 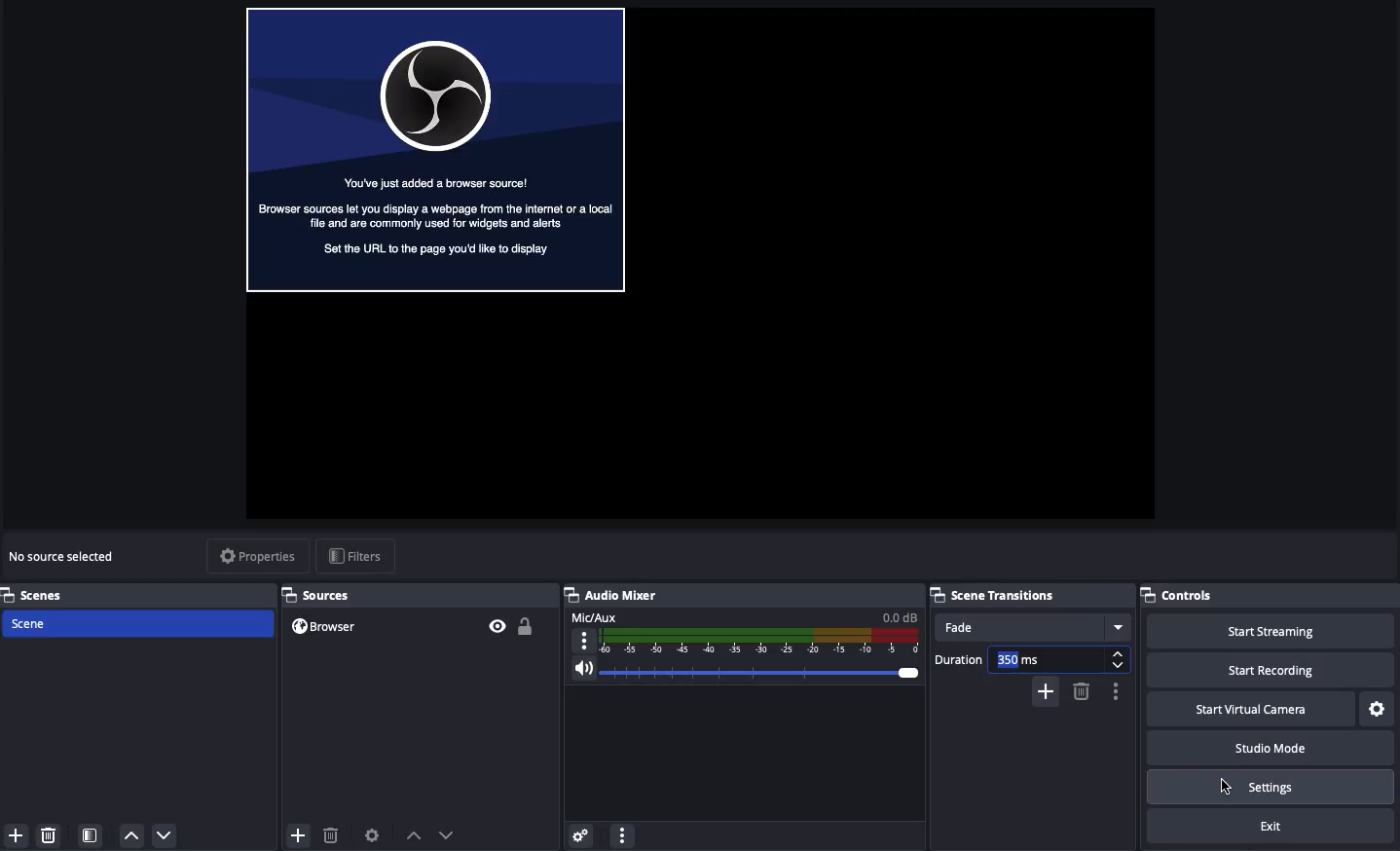 I want to click on Start recording, so click(x=1268, y=670).